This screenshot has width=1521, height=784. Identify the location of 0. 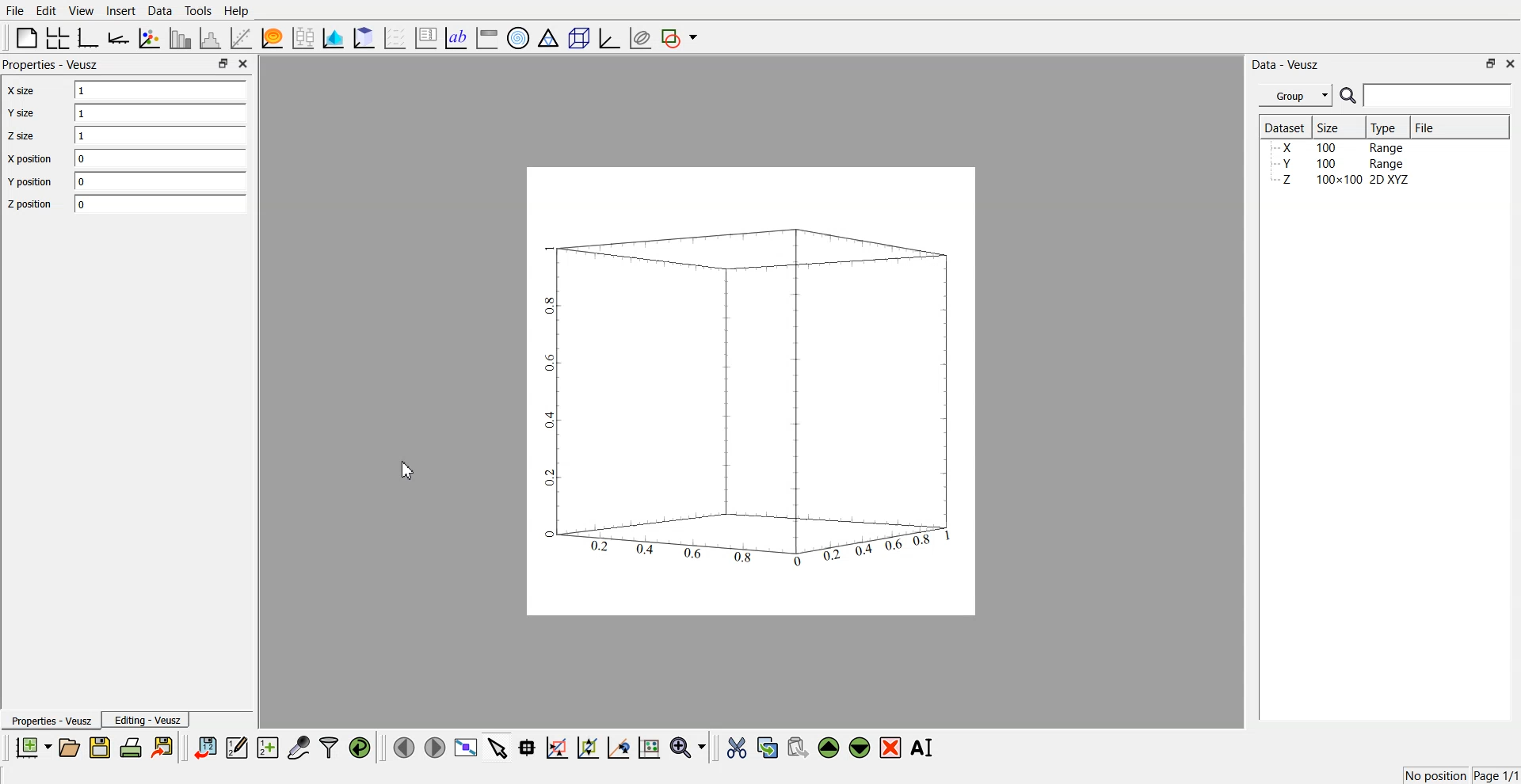
(160, 204).